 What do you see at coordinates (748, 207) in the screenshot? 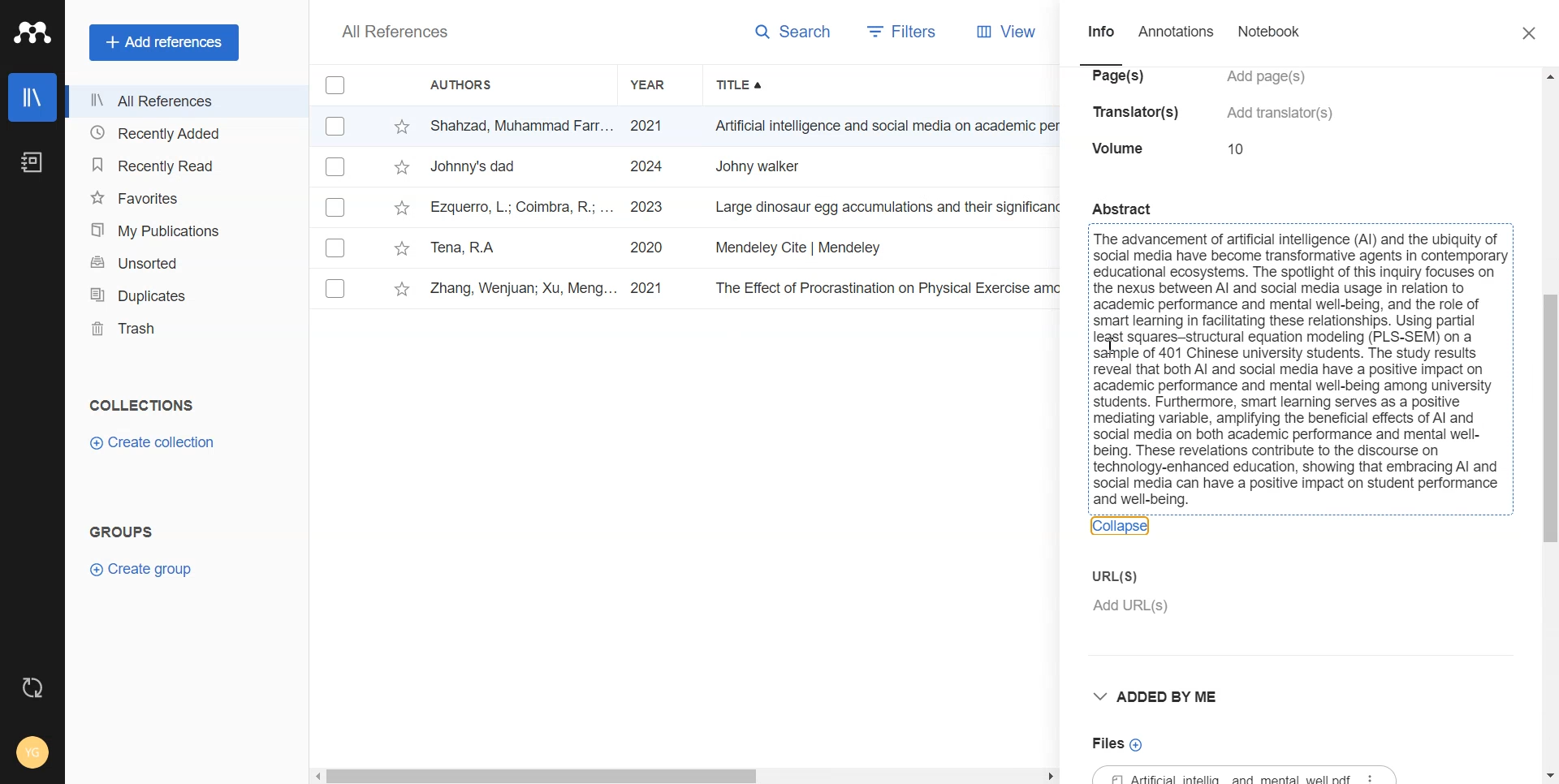
I see `tv Ezquerro, L.; Coimbra, R.; ... 2023 Large dinosaur egg accumulations and their significance for understanding ne... Geoscience Frontiers ~~ 12/18/2024` at bounding box center [748, 207].